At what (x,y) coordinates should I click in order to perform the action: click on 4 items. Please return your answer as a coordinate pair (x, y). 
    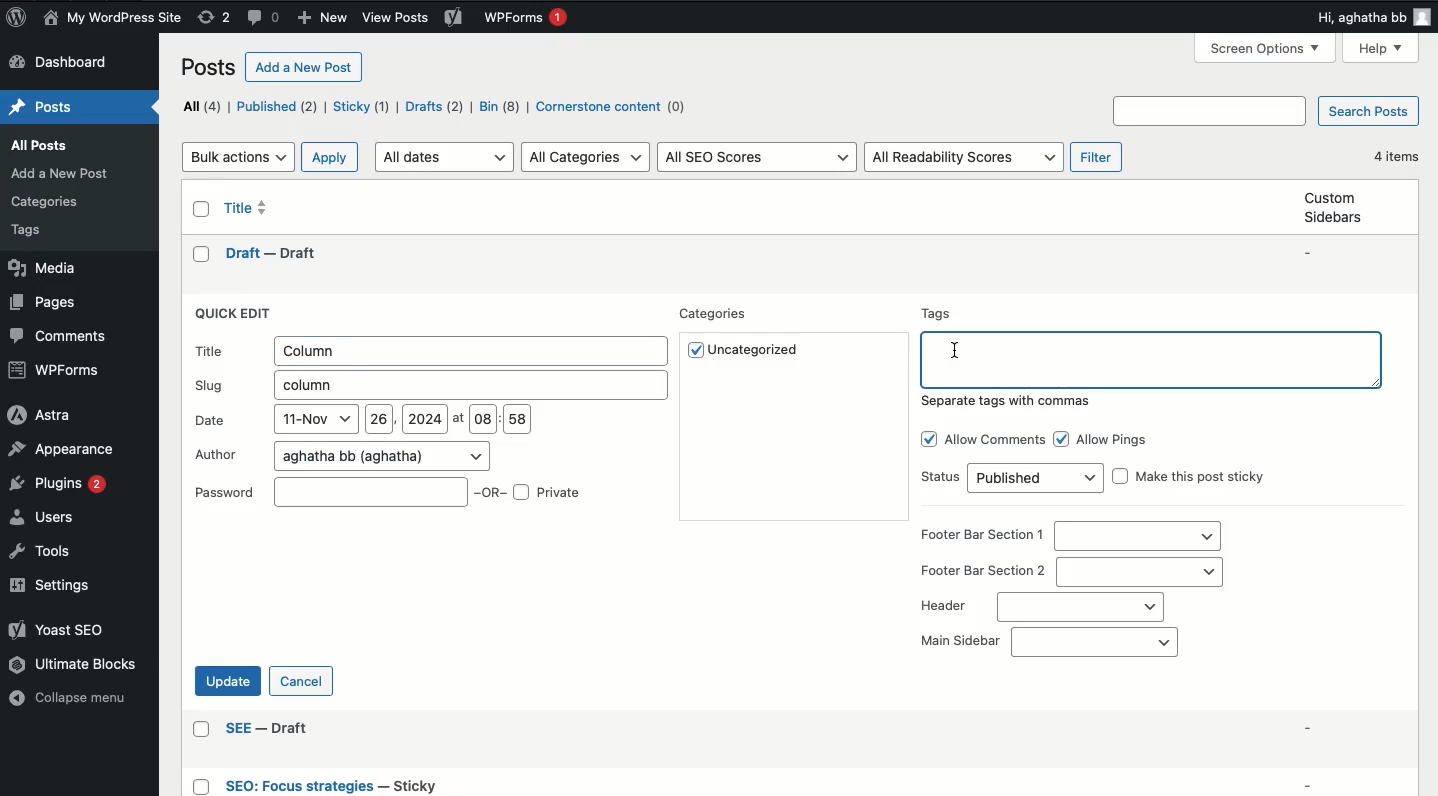
    Looking at the image, I should click on (1395, 158).